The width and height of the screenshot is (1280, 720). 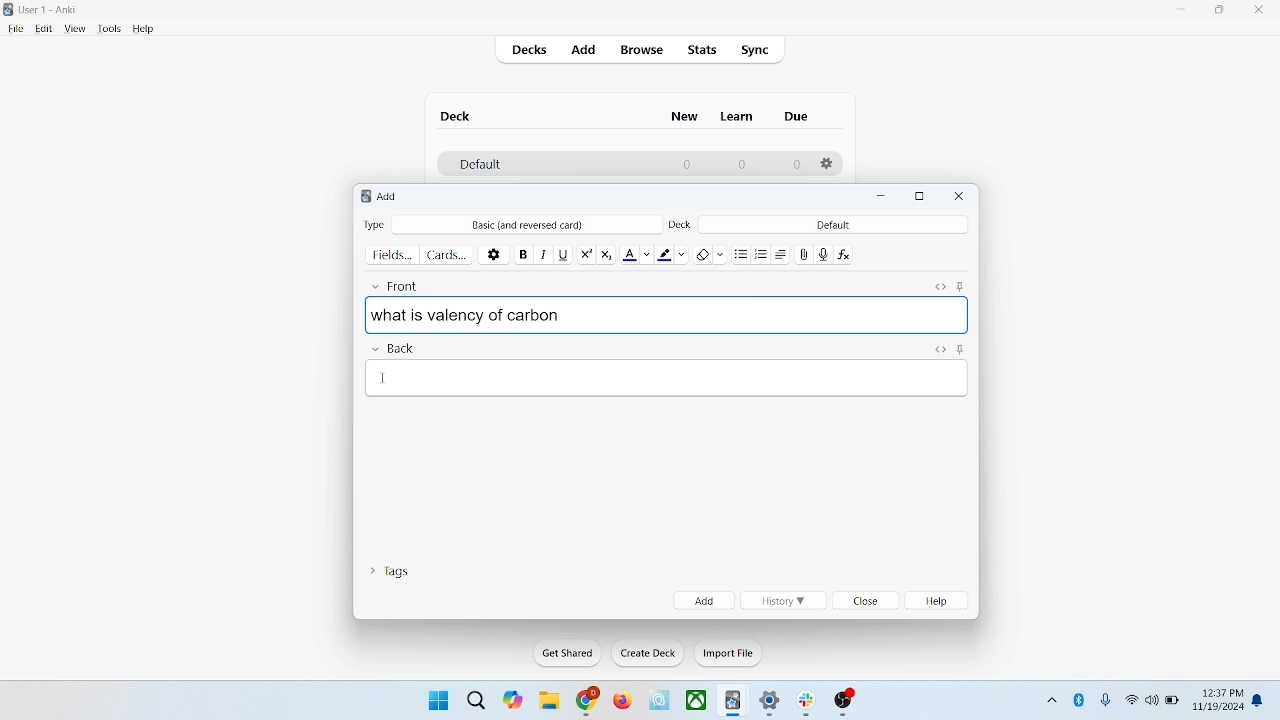 What do you see at coordinates (537, 225) in the screenshot?
I see `Basic (and reversed card)` at bounding box center [537, 225].